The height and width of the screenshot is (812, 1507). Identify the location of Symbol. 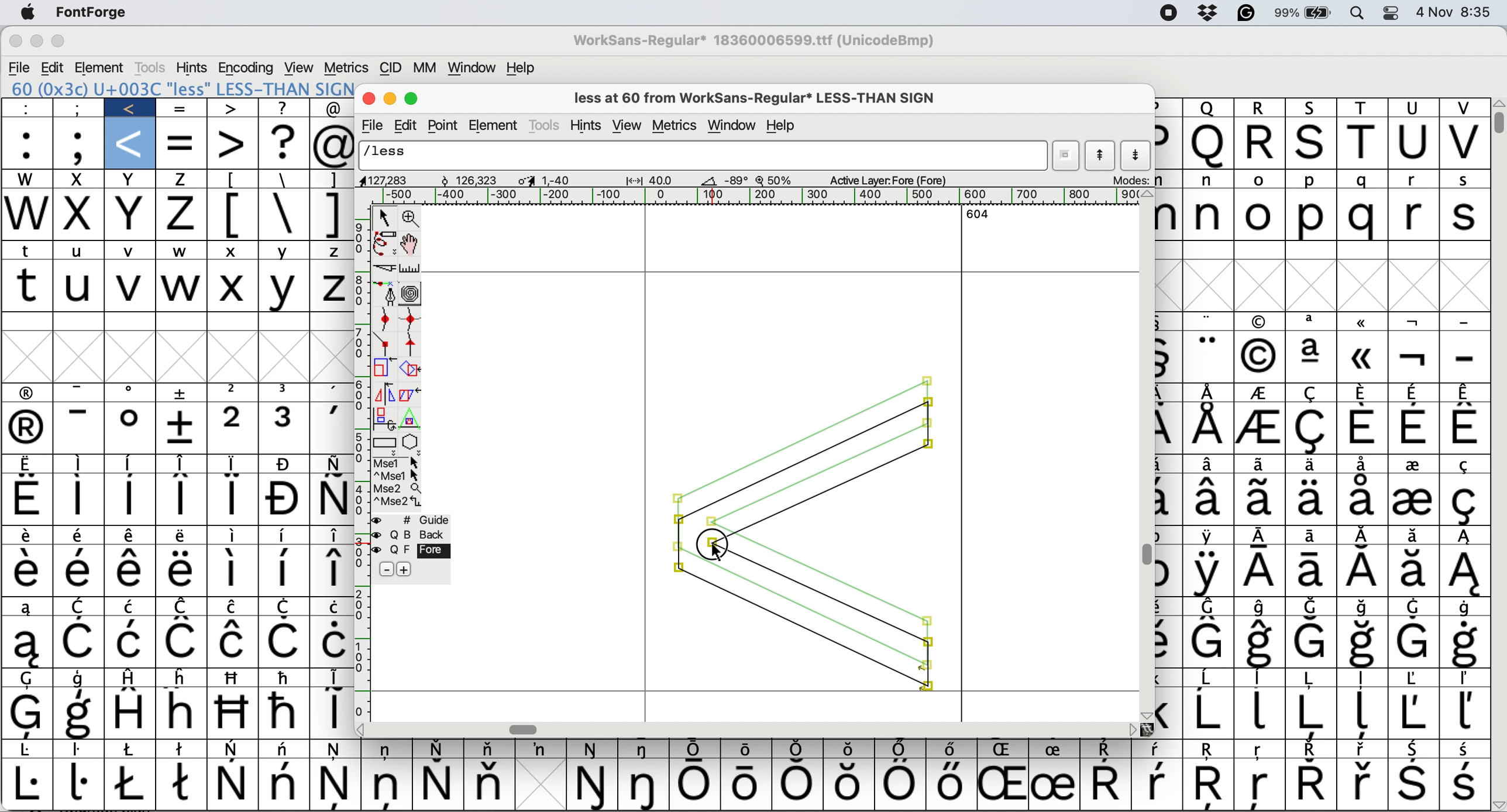
(133, 607).